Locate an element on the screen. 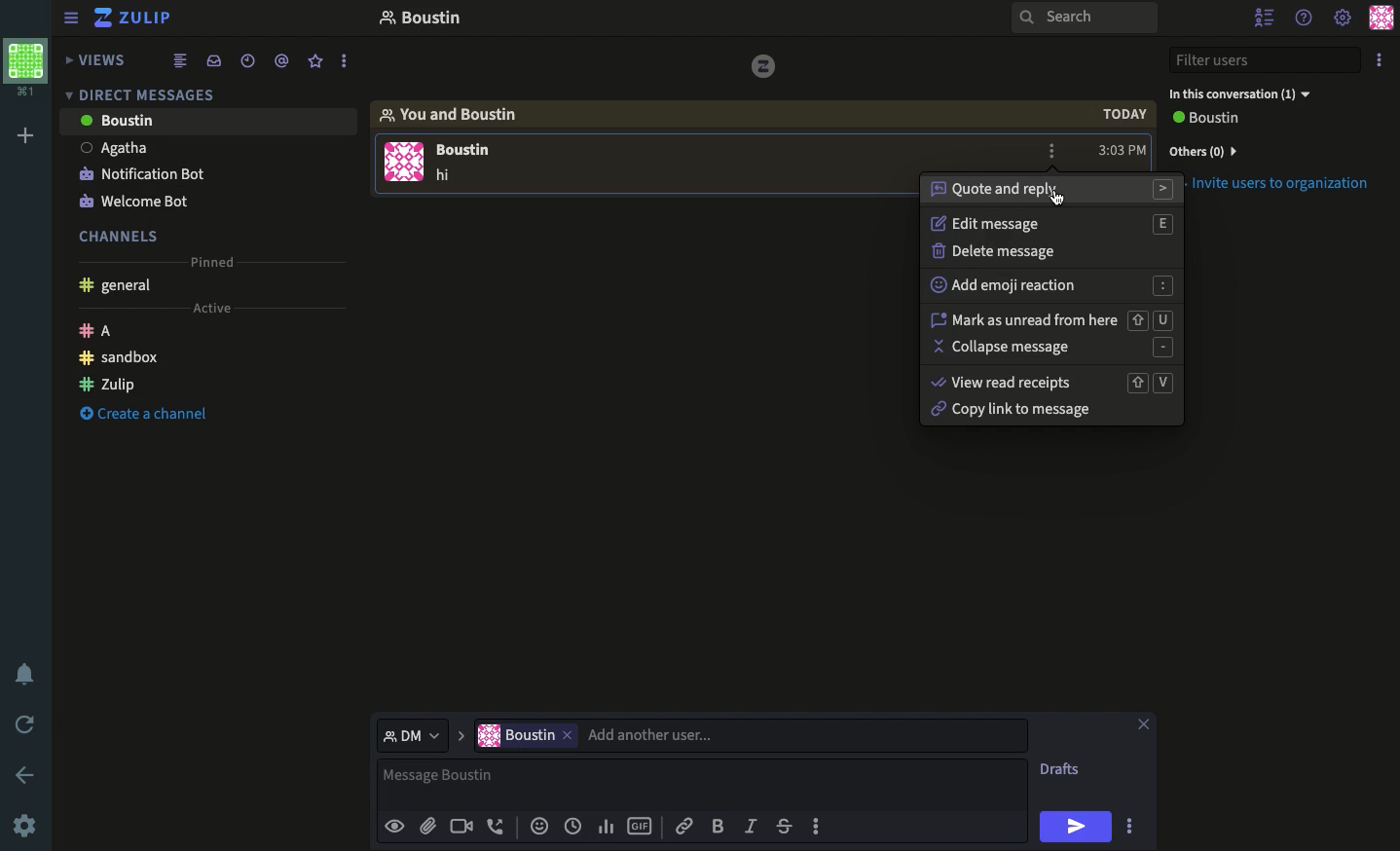 The height and width of the screenshot is (851, 1400). Refresh is located at coordinates (27, 726).